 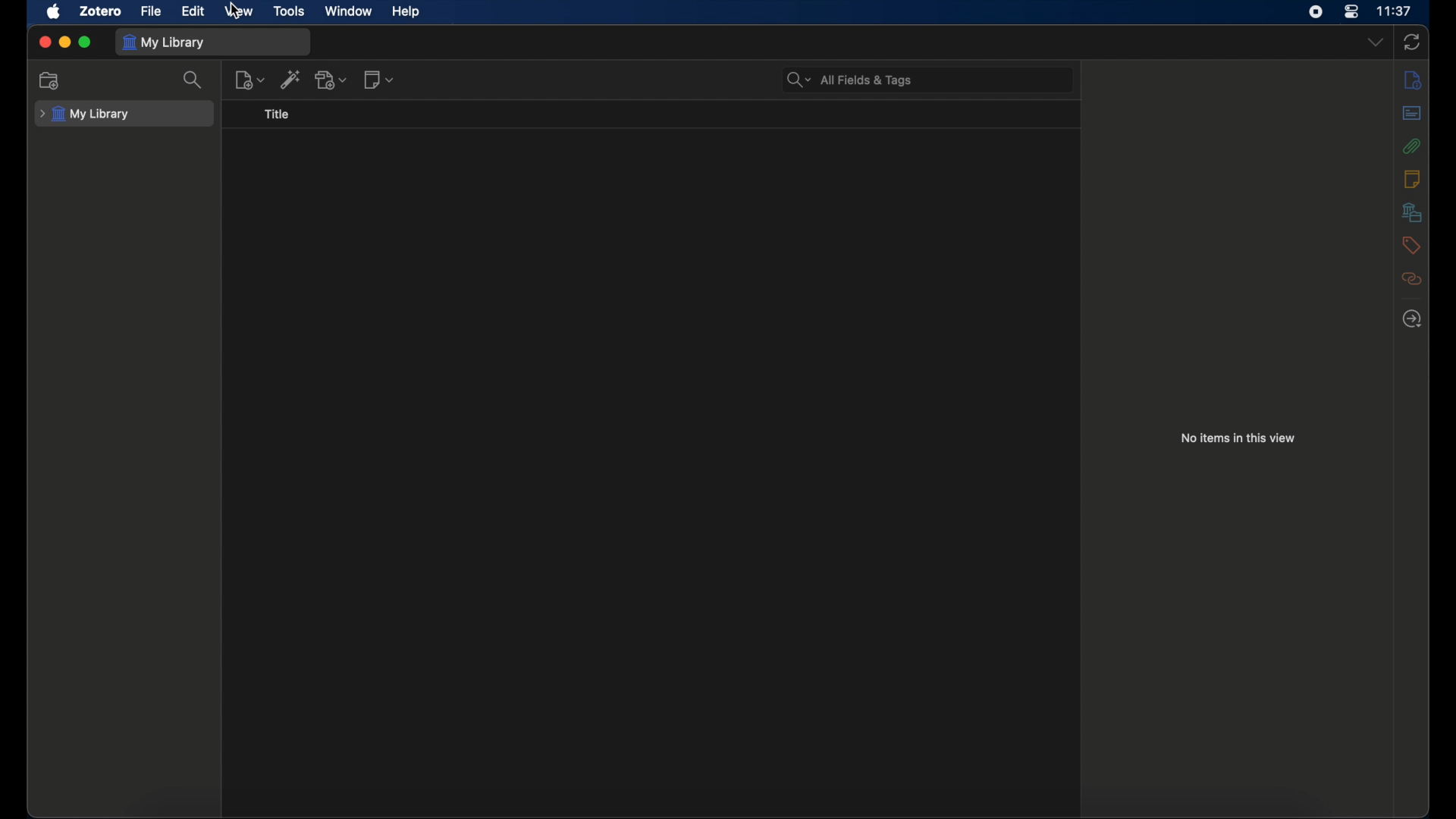 I want to click on related, so click(x=1412, y=279).